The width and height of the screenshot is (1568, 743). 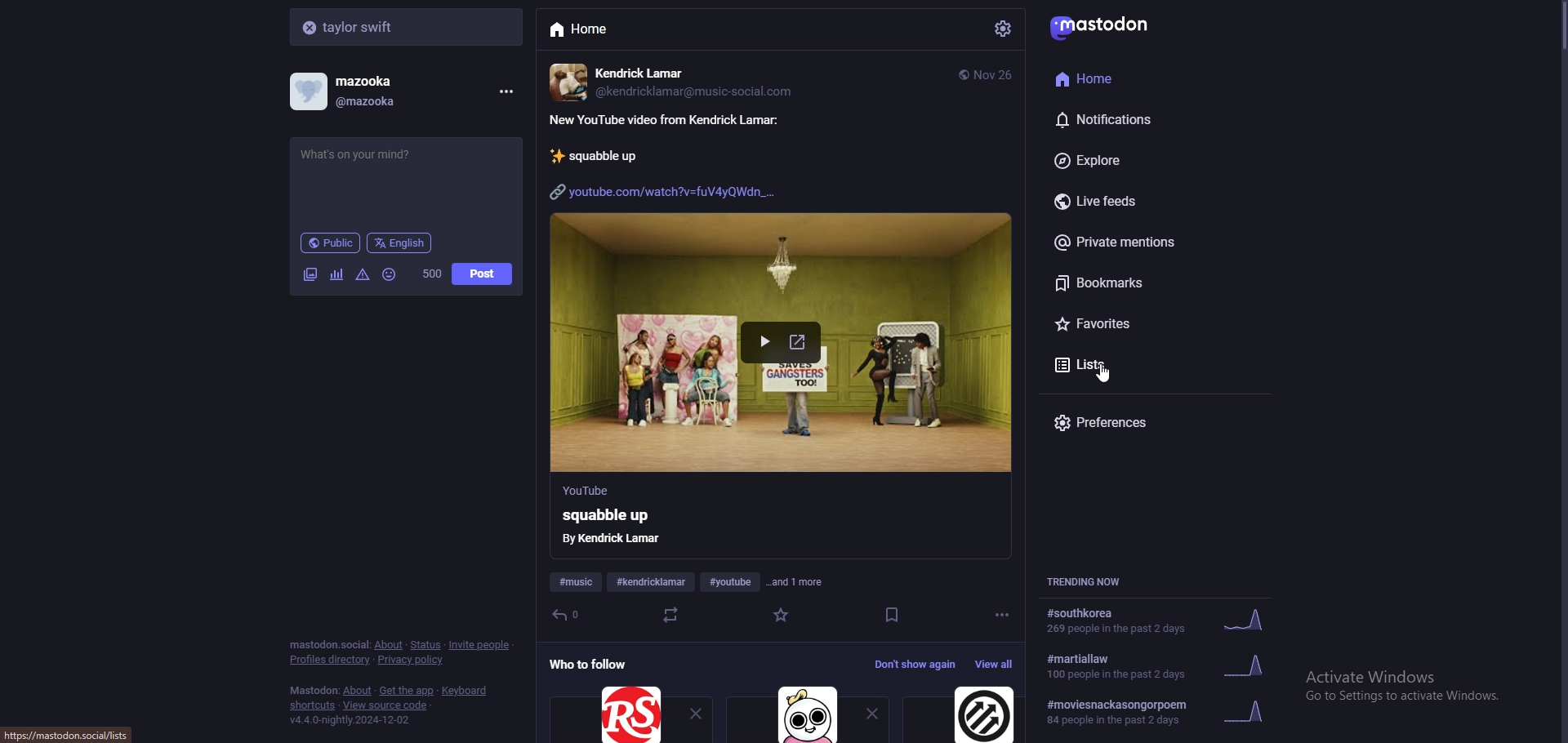 I want to click on notifications, so click(x=1138, y=117).